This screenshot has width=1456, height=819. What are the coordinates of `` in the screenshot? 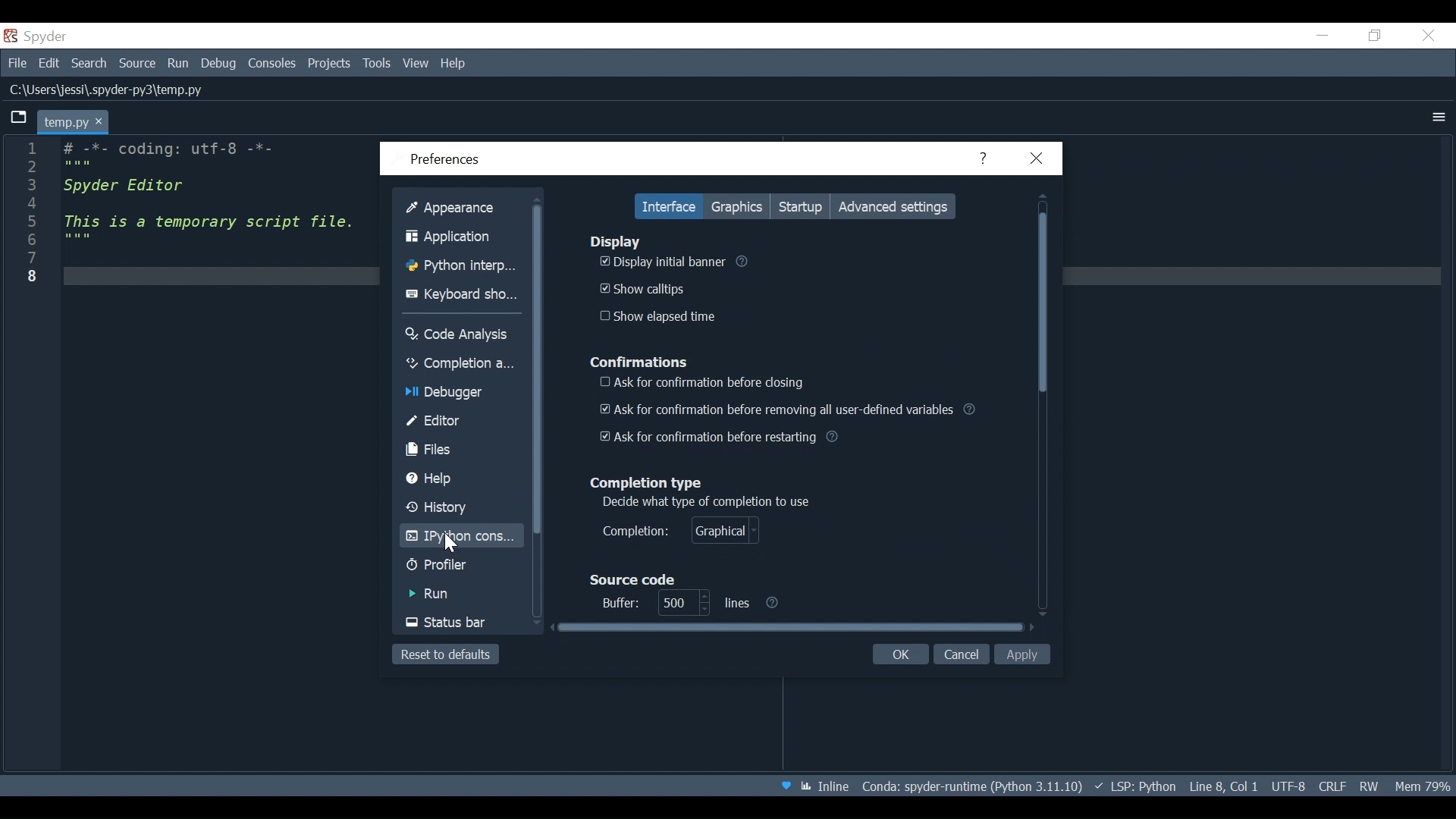 It's located at (212, 210).